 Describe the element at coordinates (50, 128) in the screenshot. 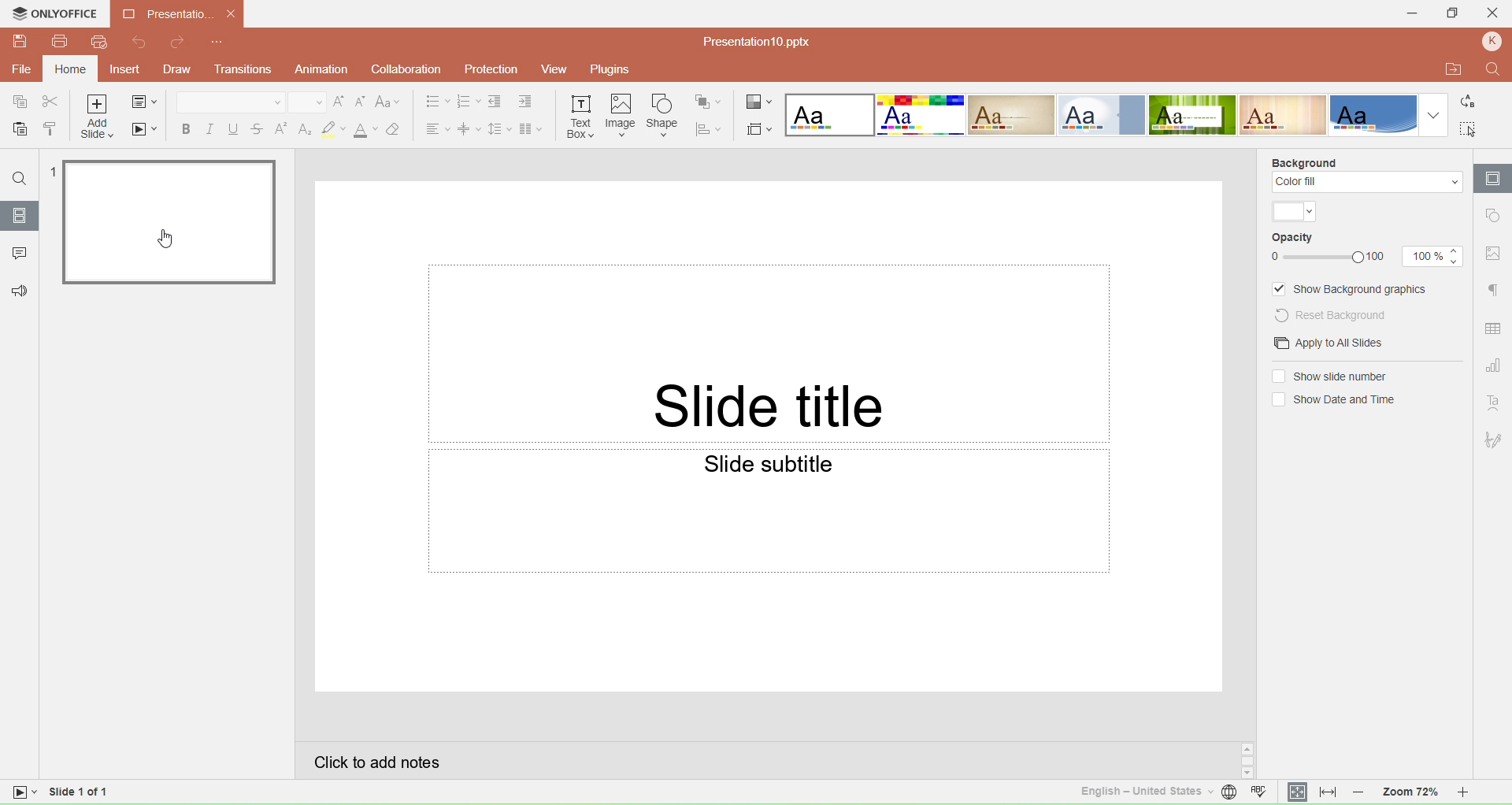

I see `Copy style` at that location.